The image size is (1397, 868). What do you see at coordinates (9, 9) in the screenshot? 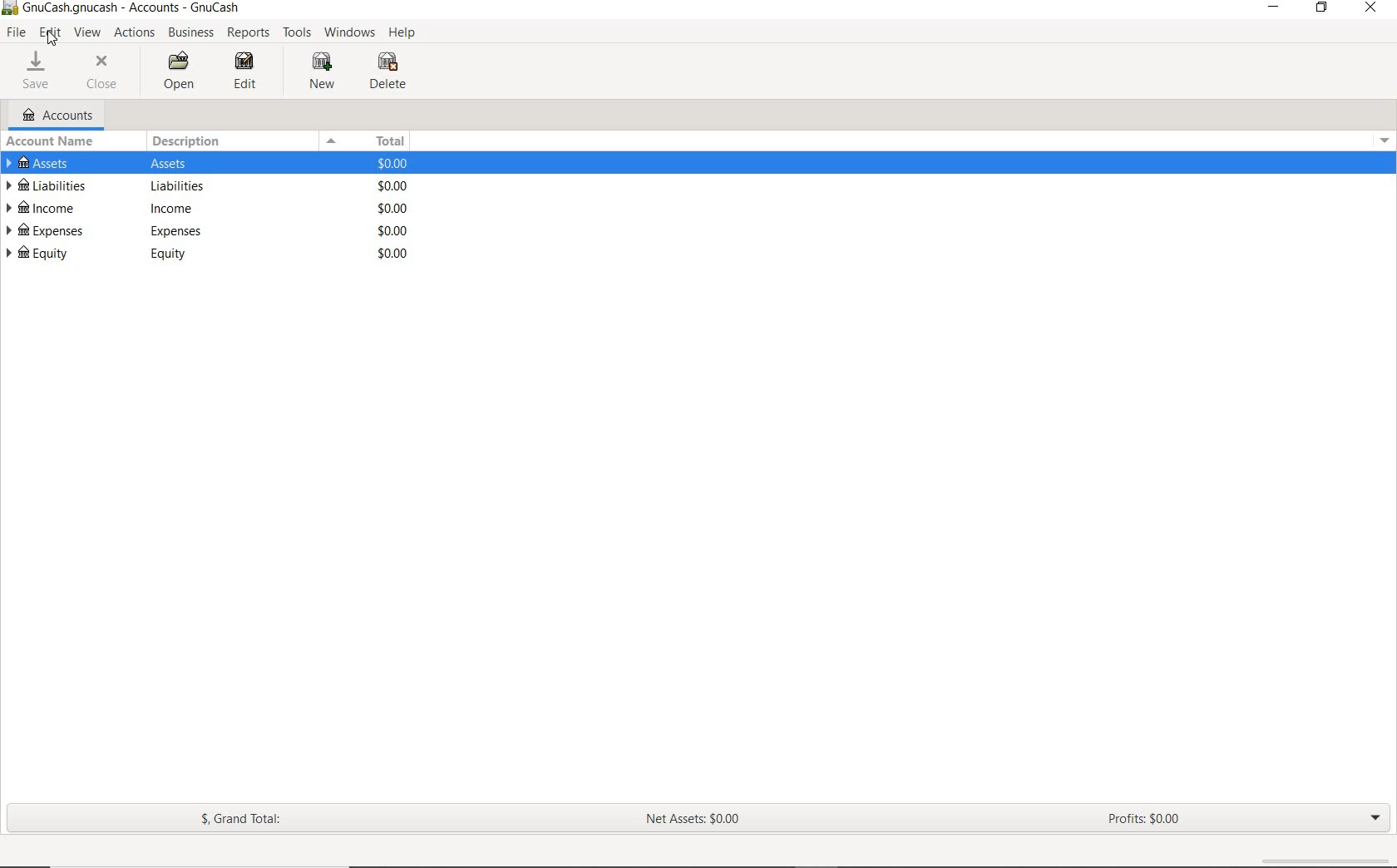
I see `SYSTEM NAME` at bounding box center [9, 9].